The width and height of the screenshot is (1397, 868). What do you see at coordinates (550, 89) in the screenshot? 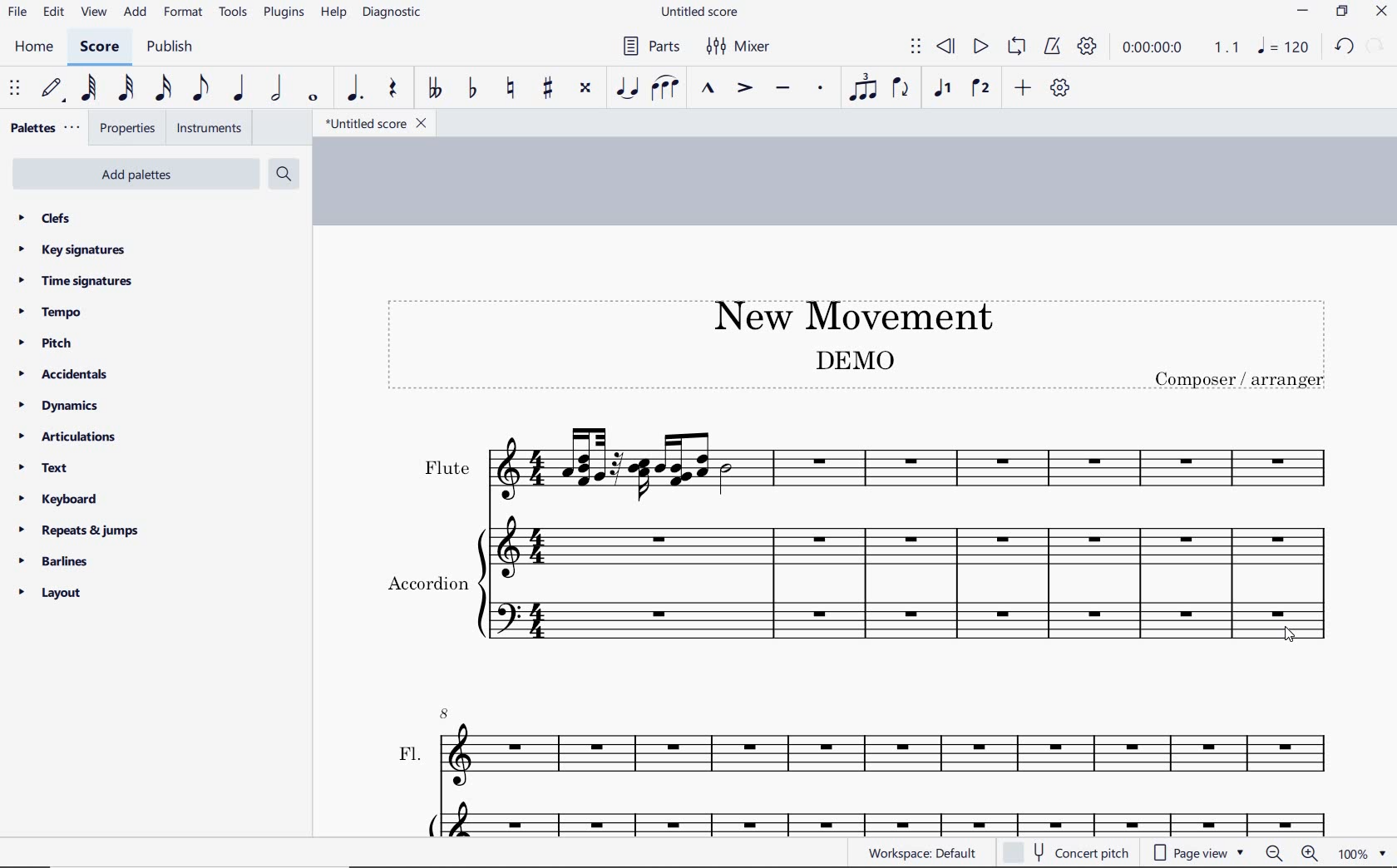
I see `toggle sharp` at bounding box center [550, 89].